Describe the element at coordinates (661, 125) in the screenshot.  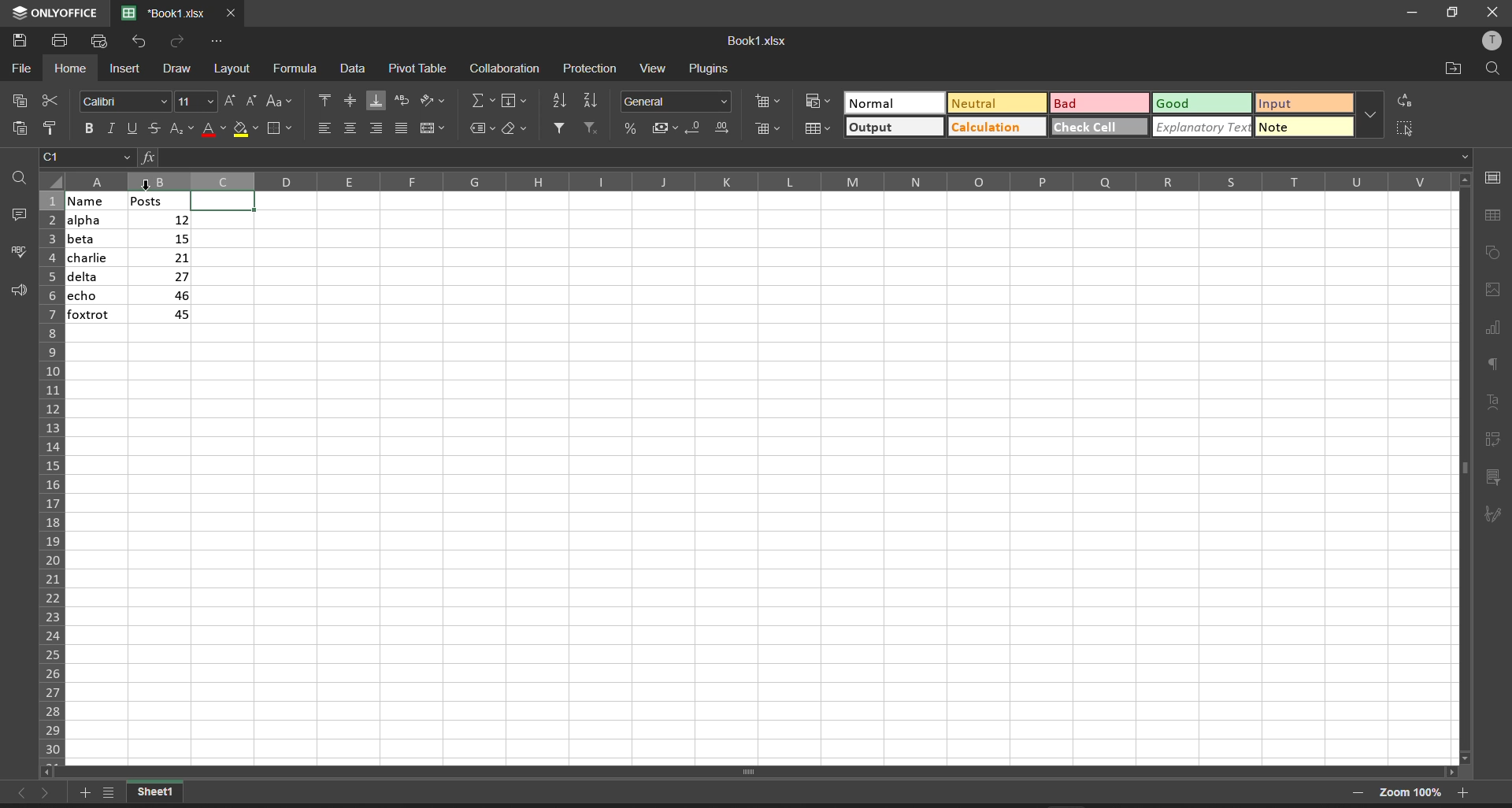
I see `accounting style` at that location.